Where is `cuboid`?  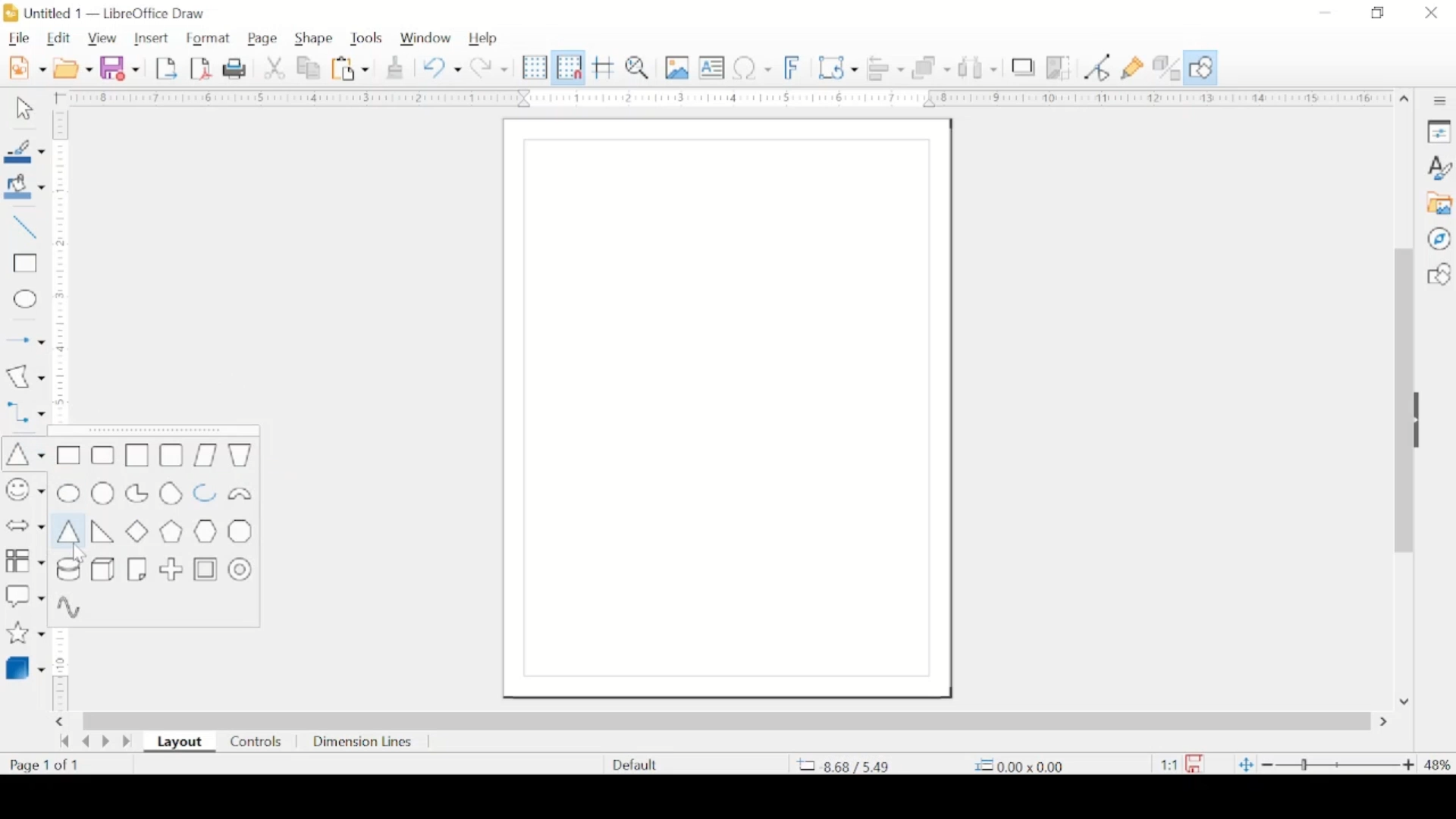
cuboid is located at coordinates (103, 569).